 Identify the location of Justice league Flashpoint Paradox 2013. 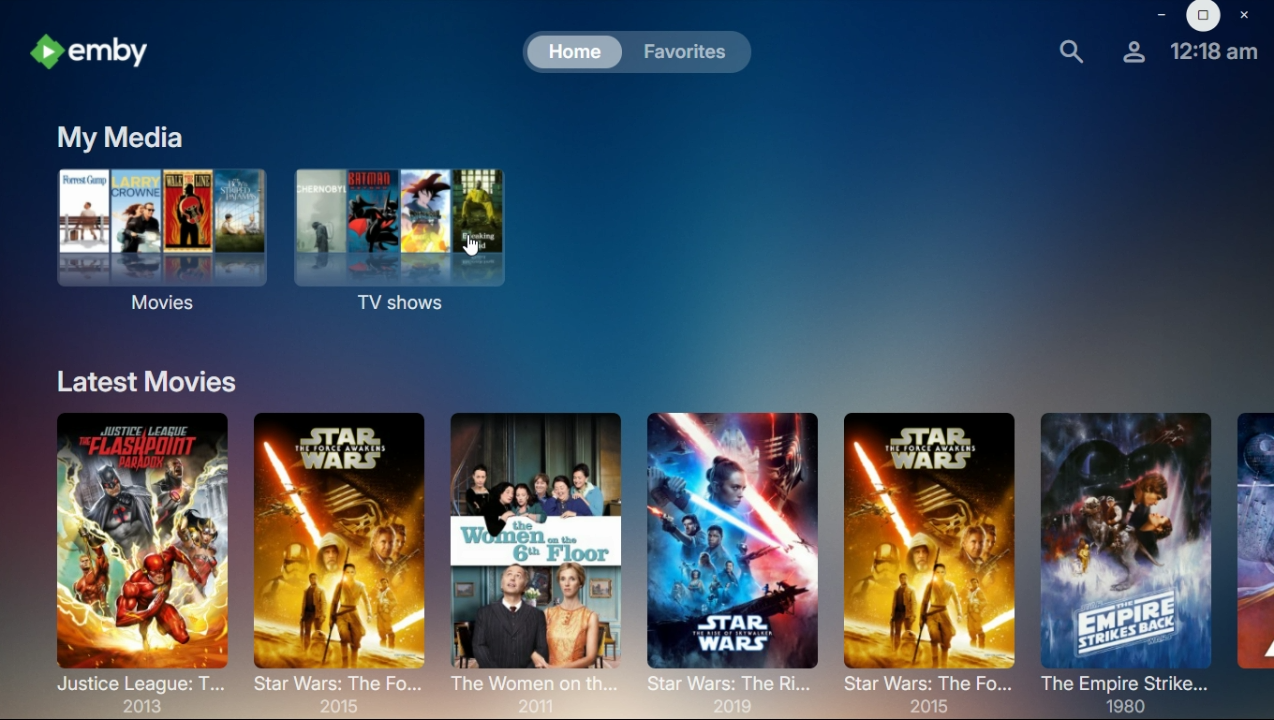
(137, 560).